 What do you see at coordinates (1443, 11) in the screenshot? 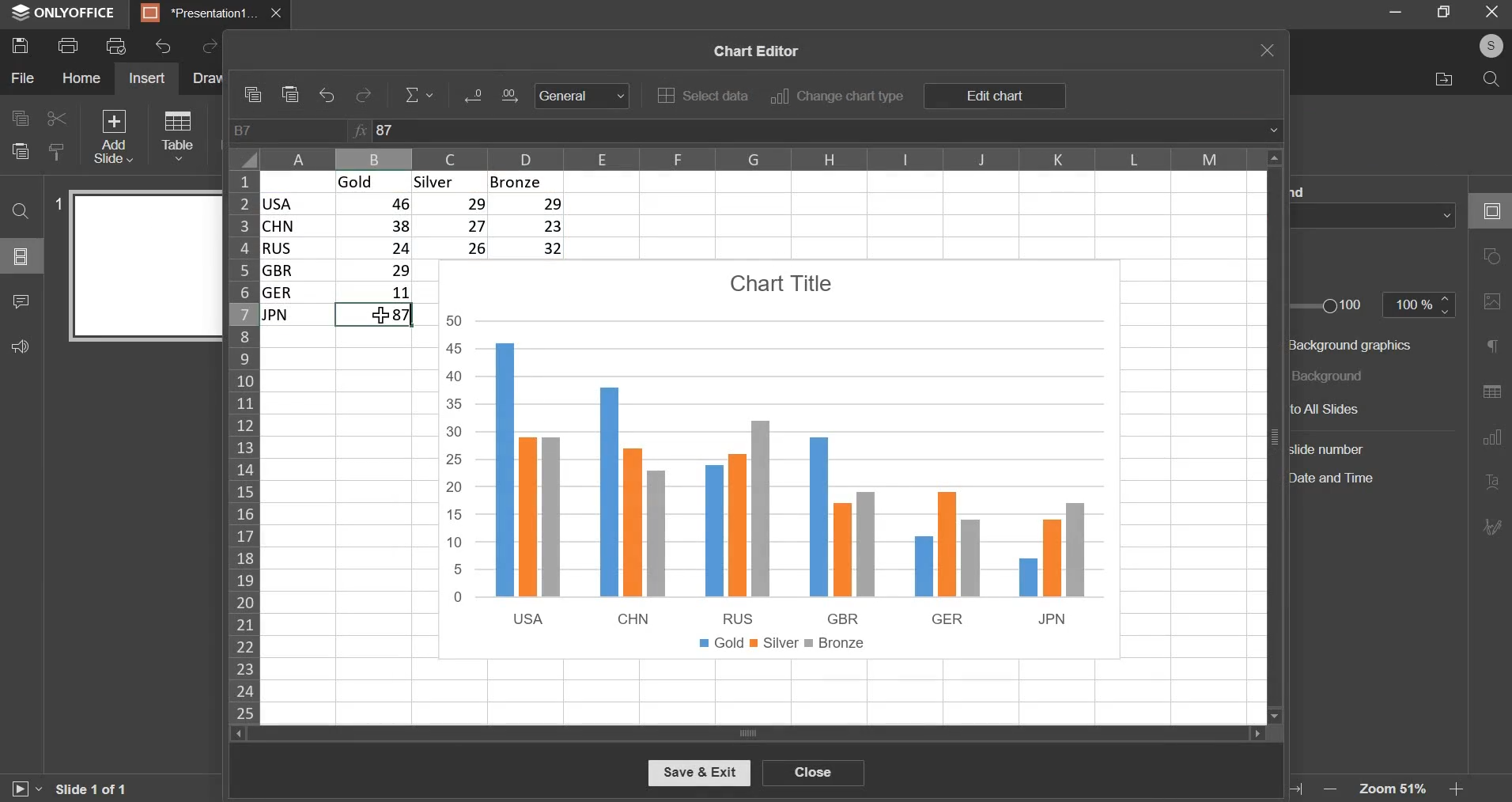
I see `full screen` at bounding box center [1443, 11].